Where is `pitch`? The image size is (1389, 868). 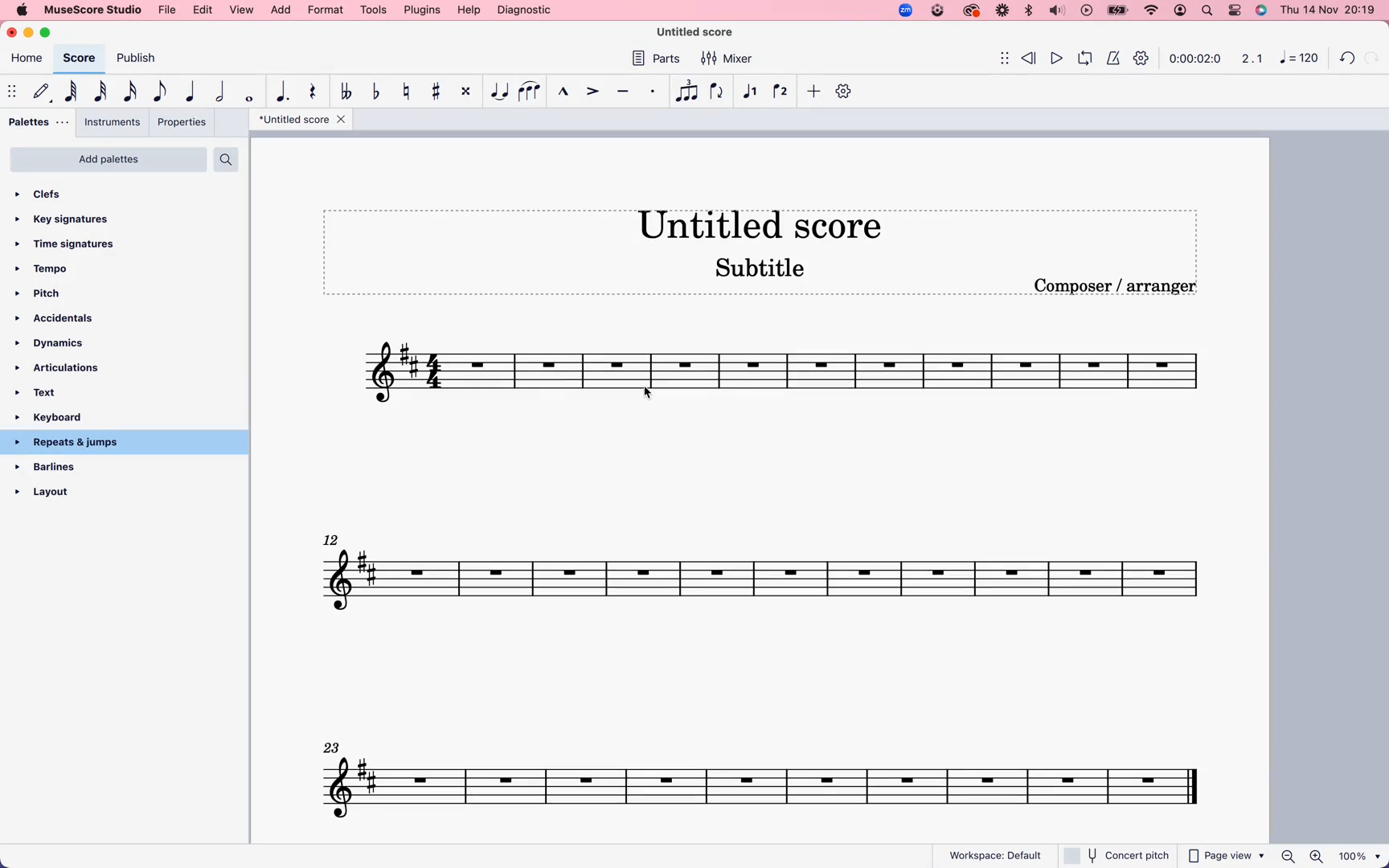
pitch is located at coordinates (50, 294).